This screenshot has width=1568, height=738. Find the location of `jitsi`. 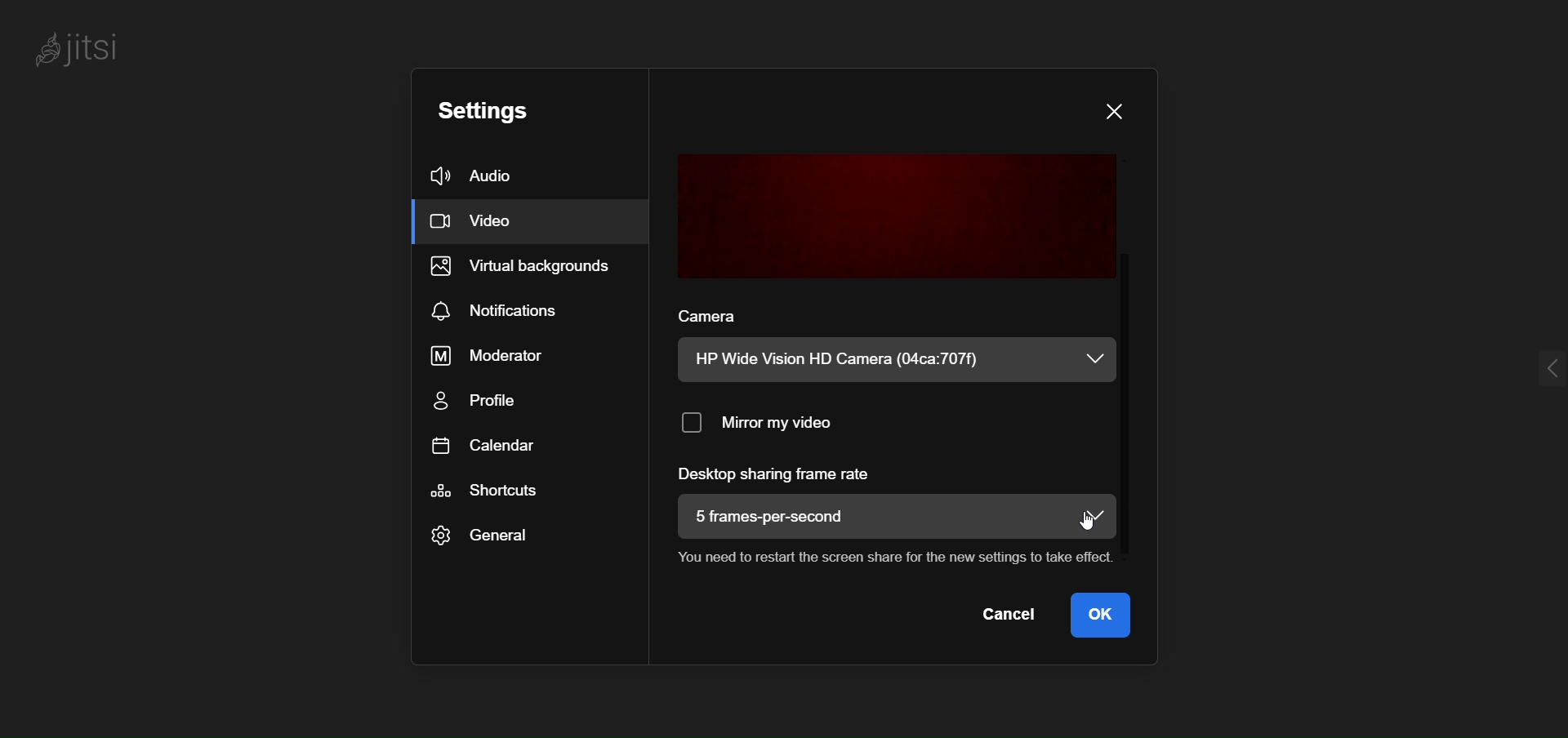

jitsi is located at coordinates (88, 51).